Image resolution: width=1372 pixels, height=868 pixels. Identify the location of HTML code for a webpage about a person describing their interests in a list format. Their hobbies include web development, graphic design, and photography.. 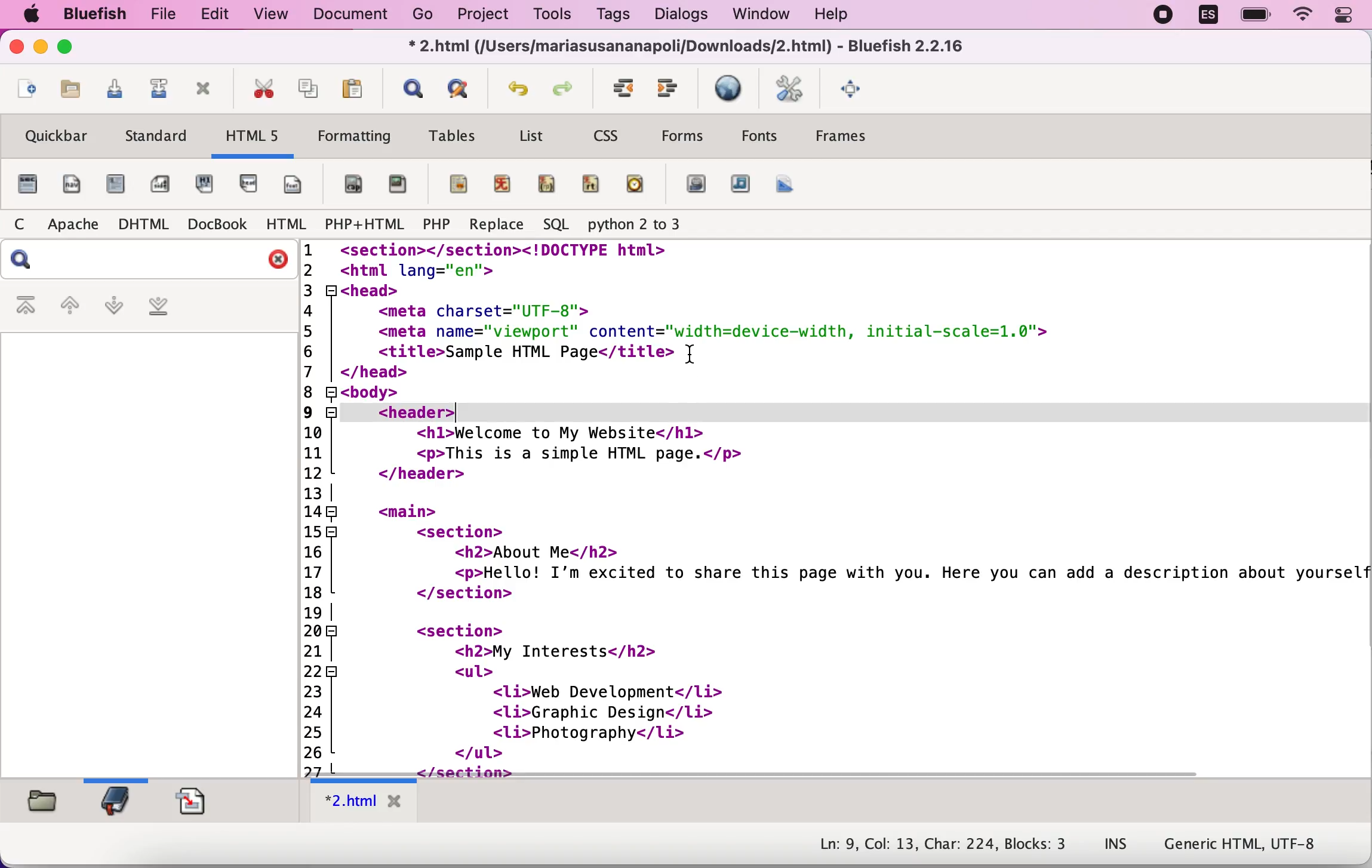
(836, 502).